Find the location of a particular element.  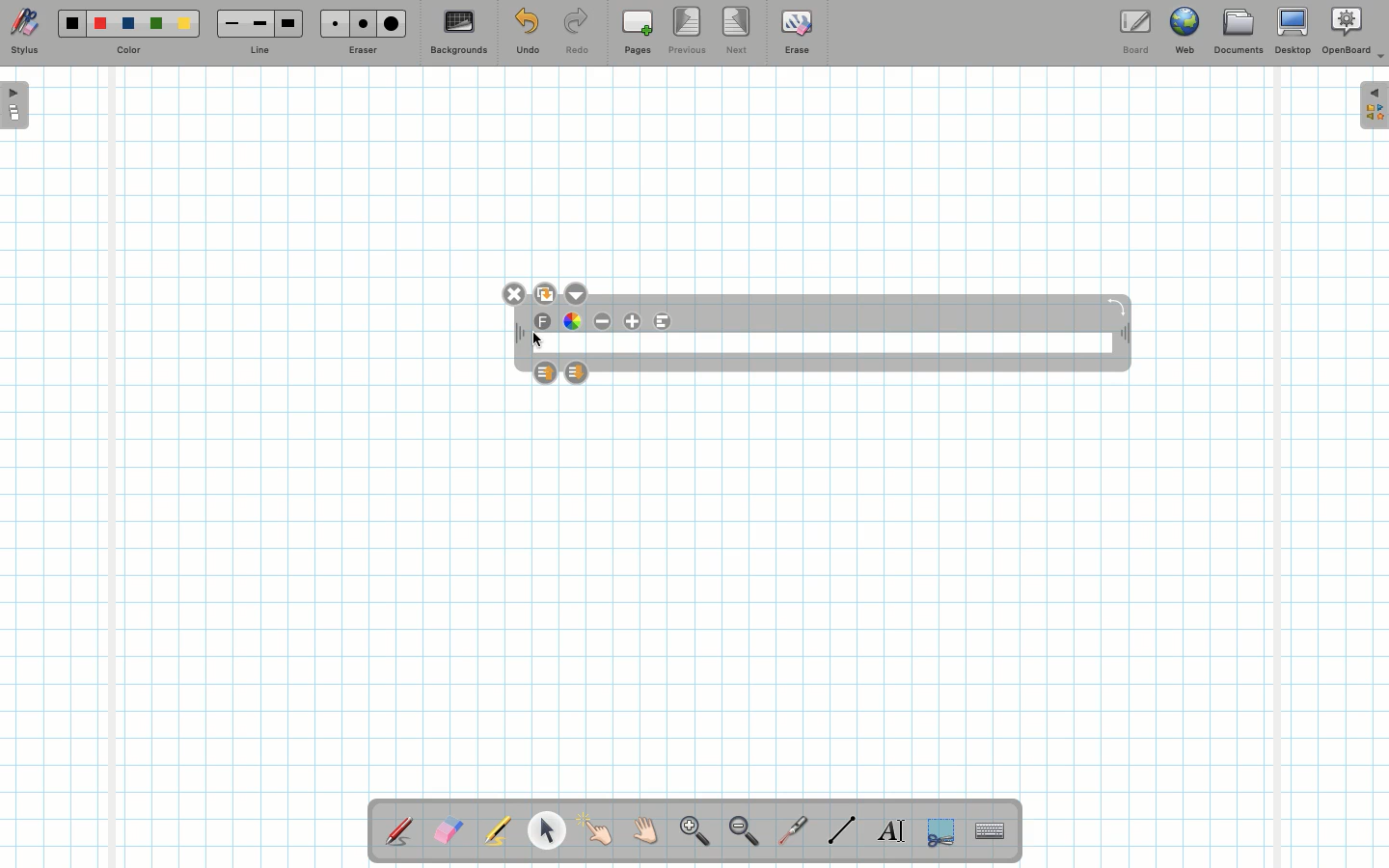

Line is located at coordinates (259, 51).